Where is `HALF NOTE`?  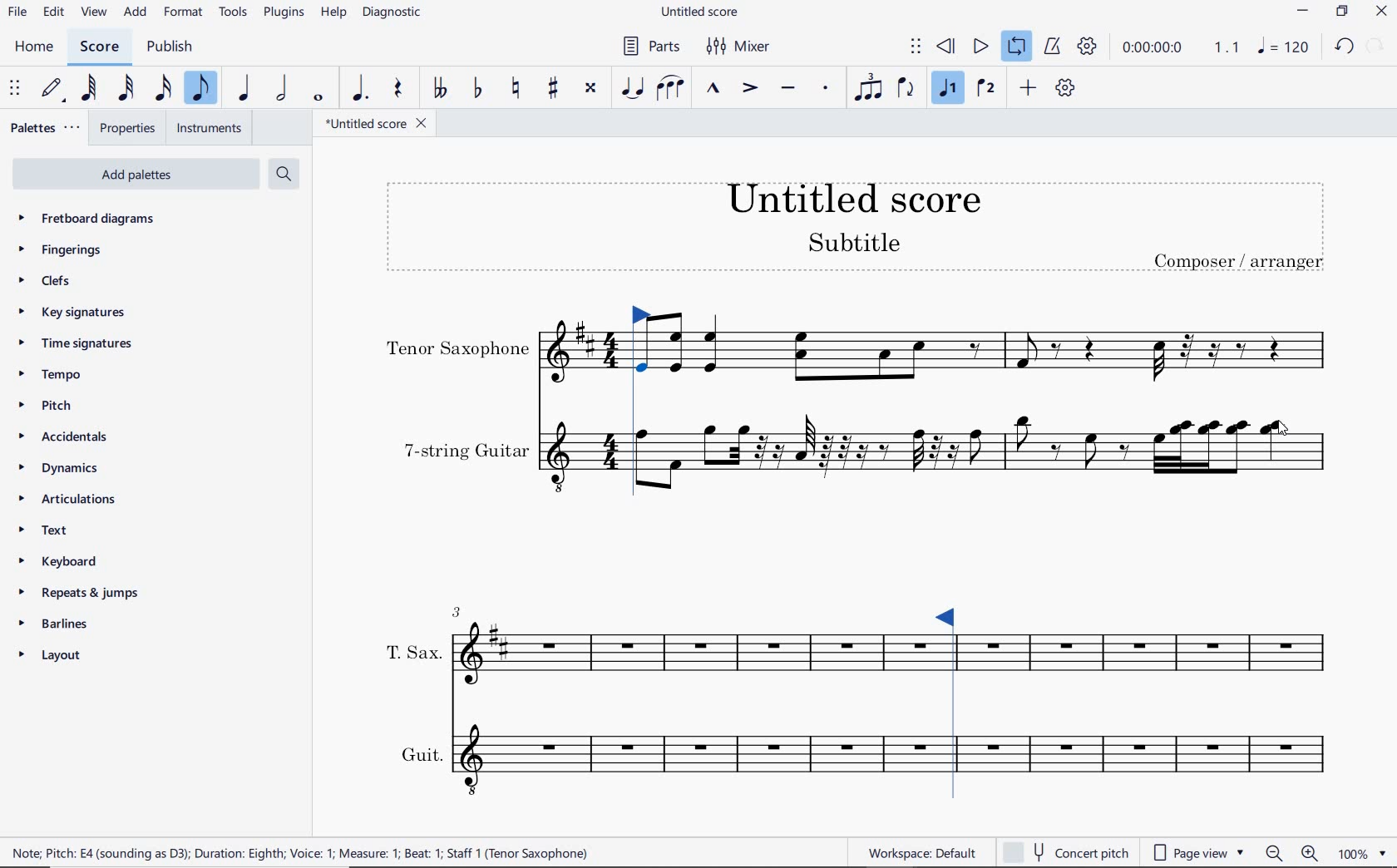 HALF NOTE is located at coordinates (279, 89).